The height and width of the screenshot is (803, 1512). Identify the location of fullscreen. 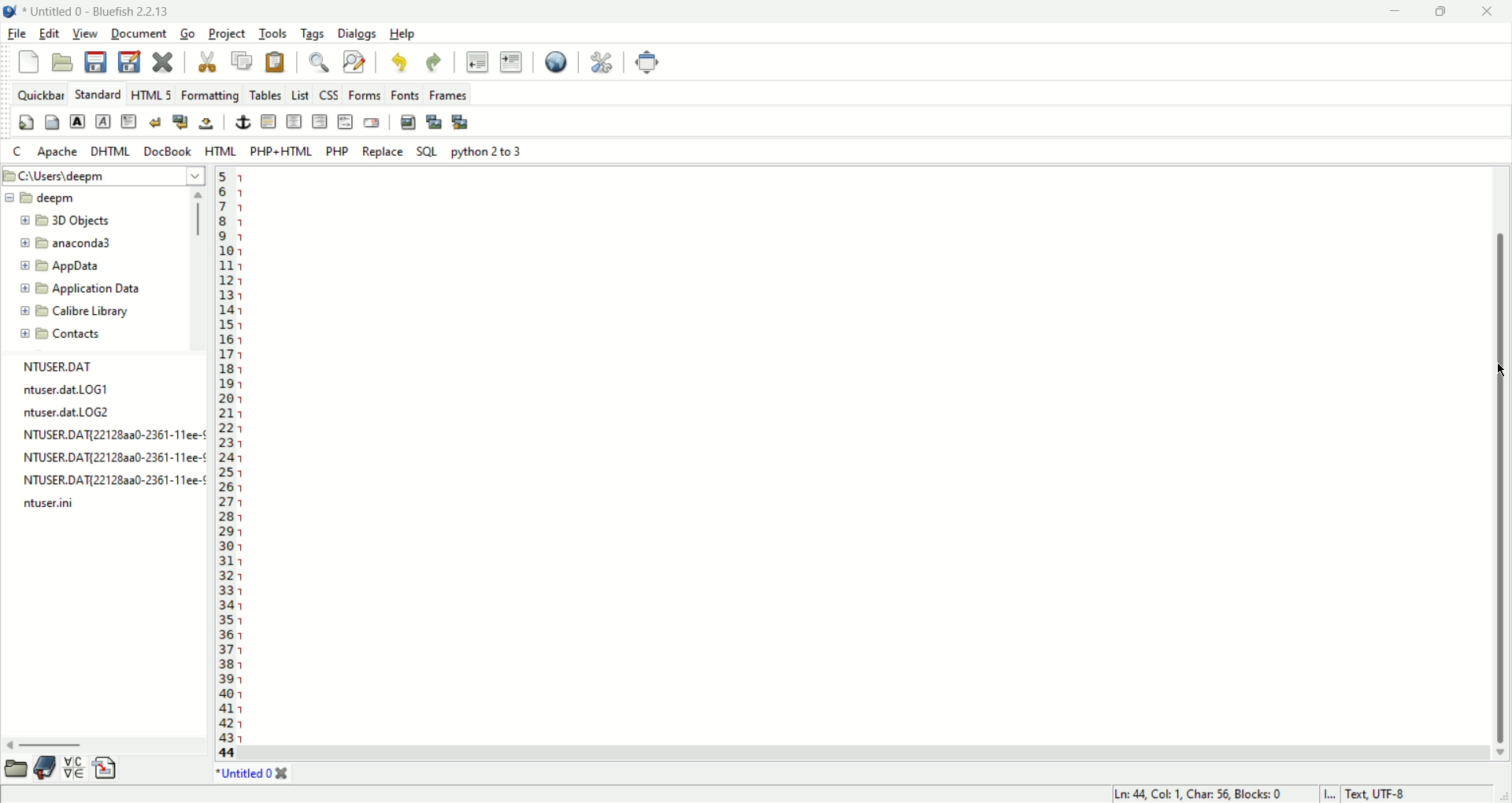
(650, 62).